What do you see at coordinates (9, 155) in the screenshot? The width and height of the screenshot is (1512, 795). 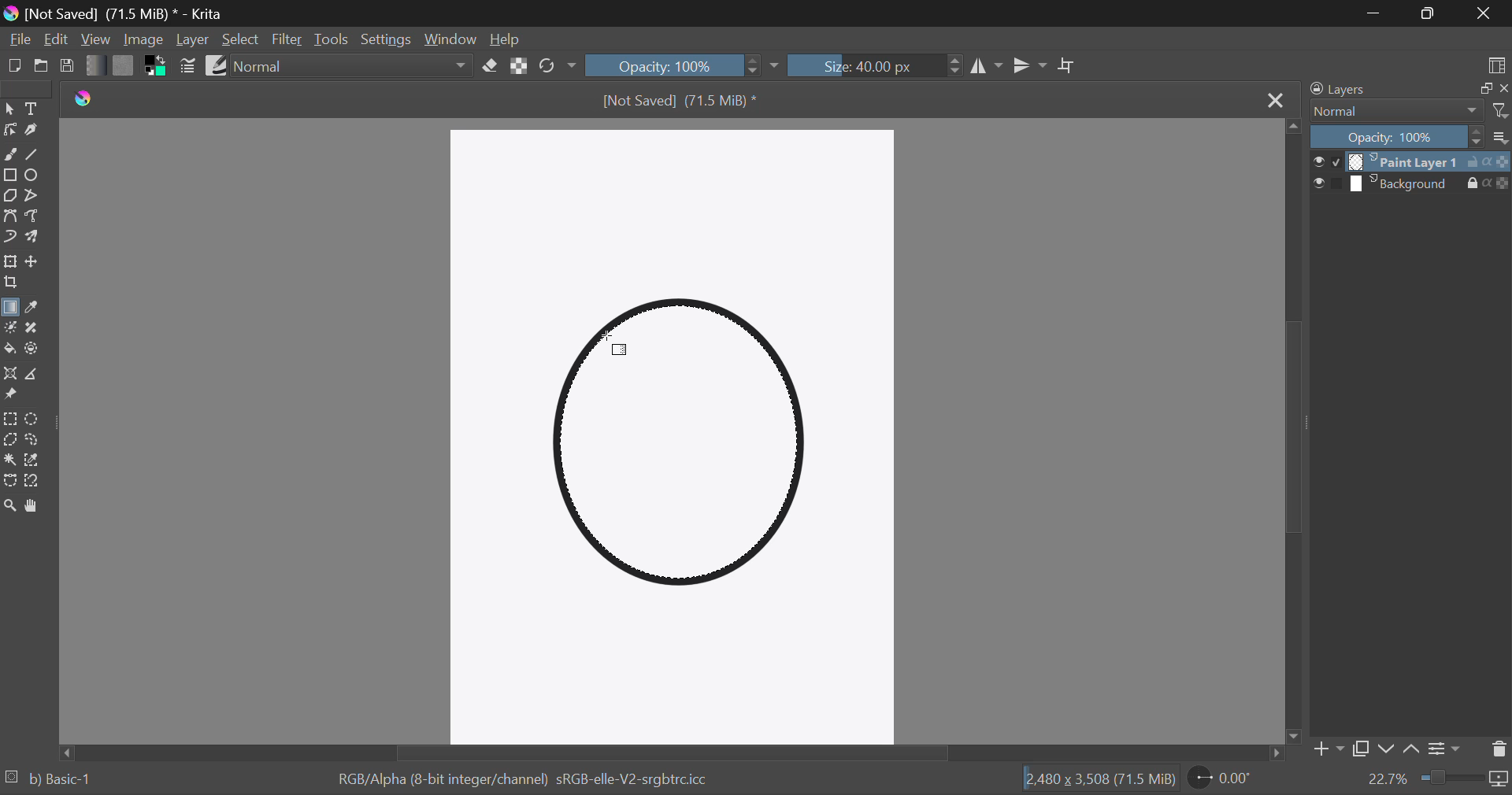 I see `Freehand` at bounding box center [9, 155].